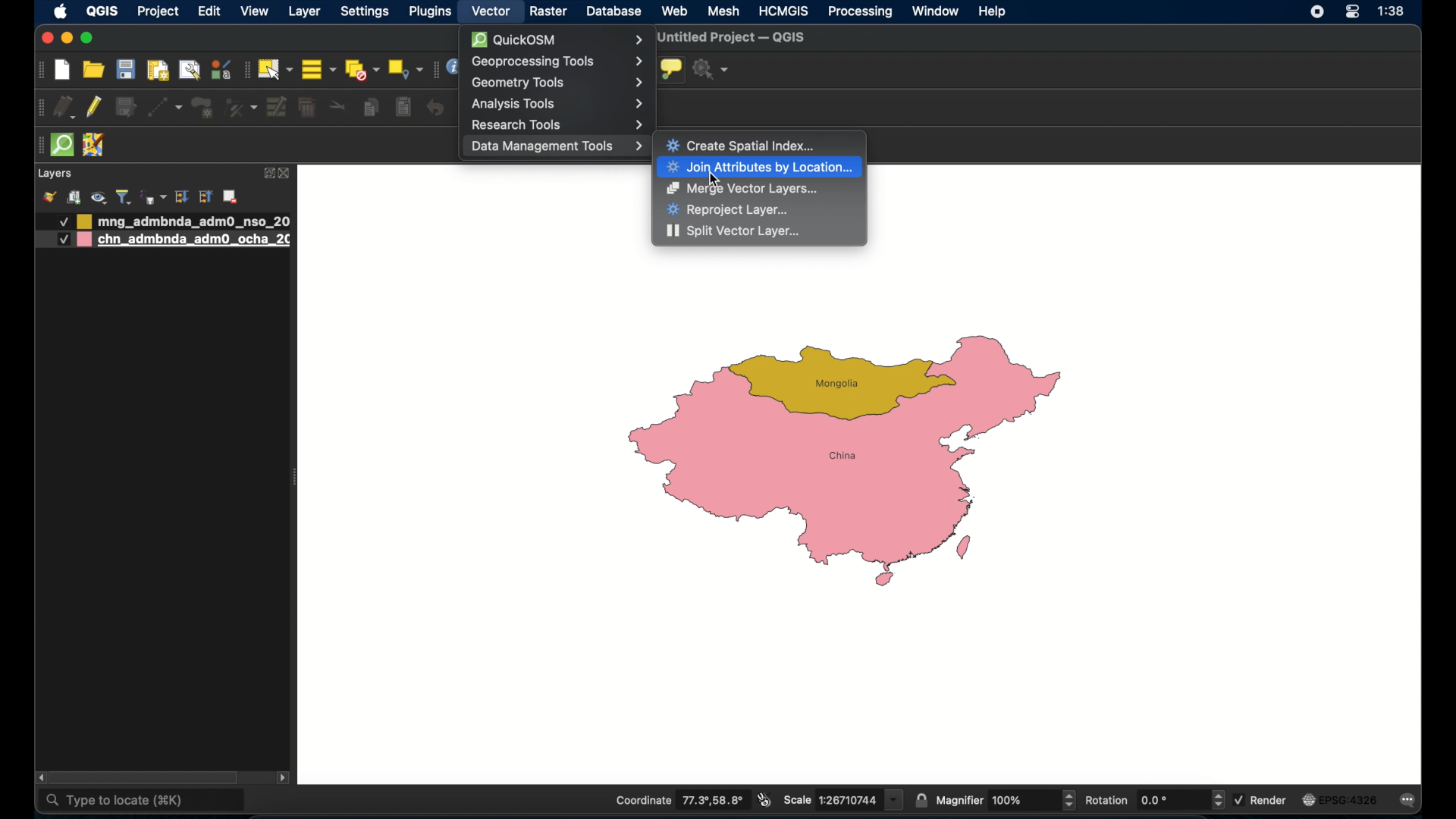  Describe the element at coordinates (763, 165) in the screenshot. I see `Join Attributes by Location...` at that location.